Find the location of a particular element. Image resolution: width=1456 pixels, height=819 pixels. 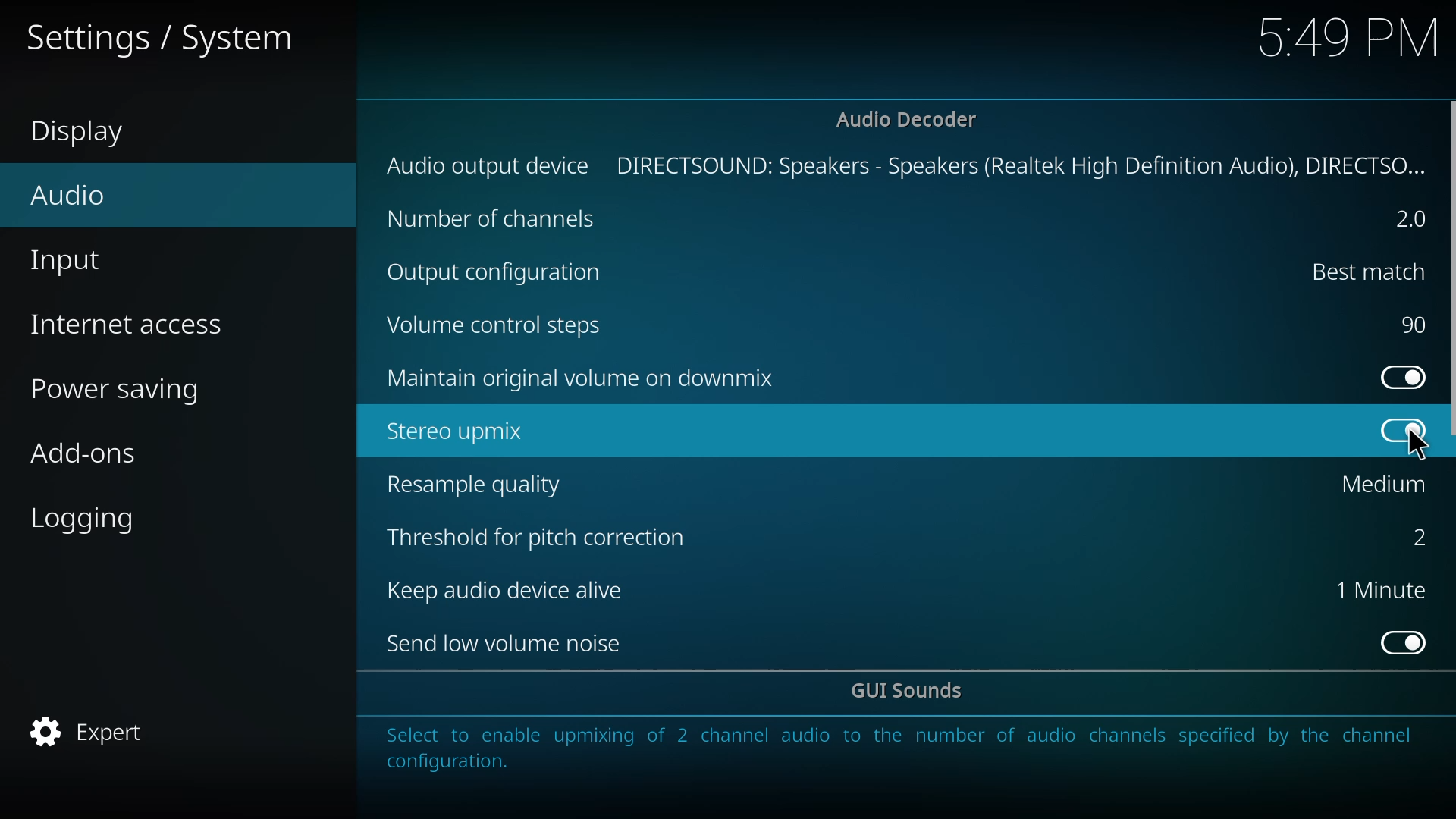

enabled is located at coordinates (1400, 429).